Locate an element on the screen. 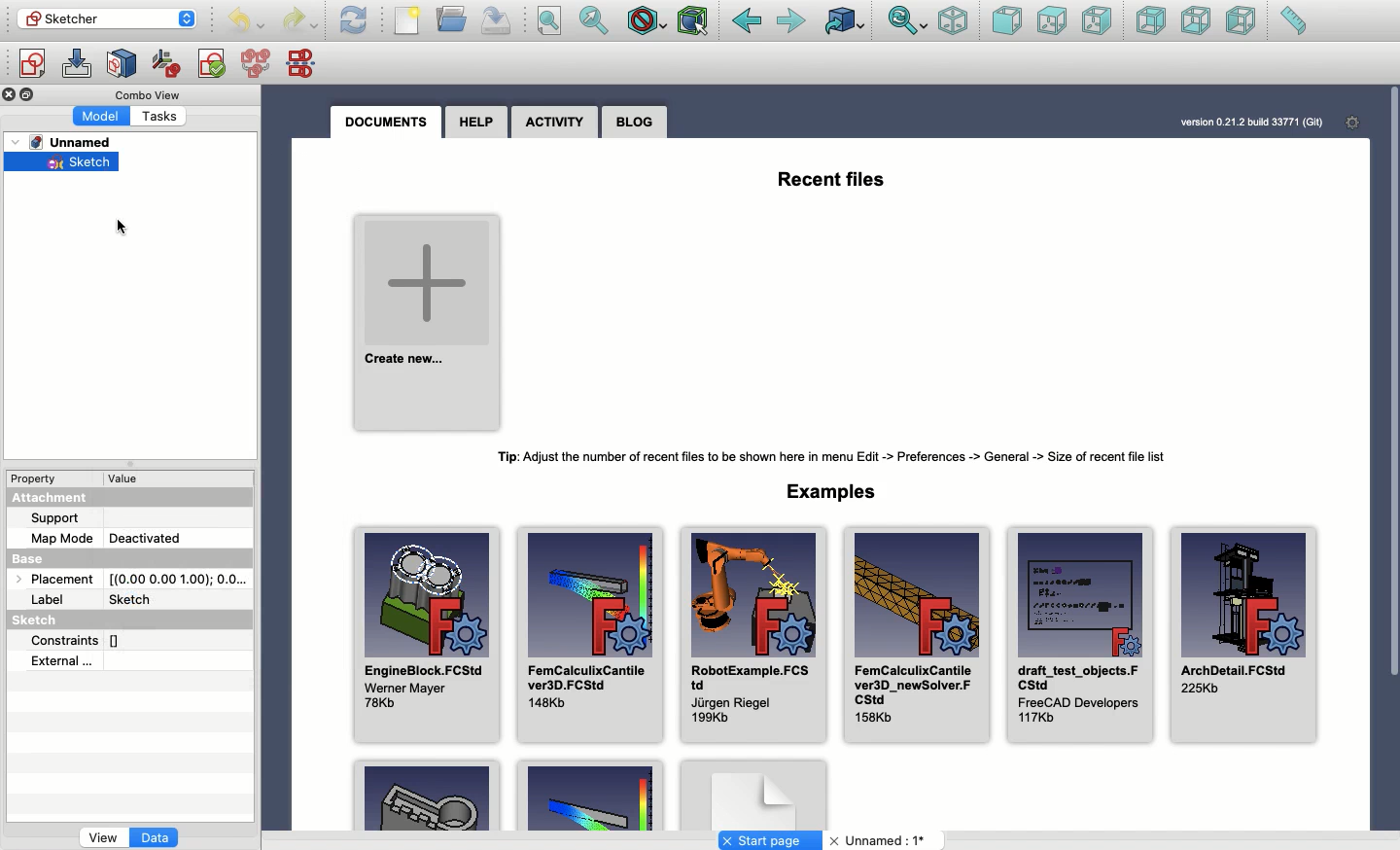 The image size is (1400, 850). RobotExample is located at coordinates (750, 635).